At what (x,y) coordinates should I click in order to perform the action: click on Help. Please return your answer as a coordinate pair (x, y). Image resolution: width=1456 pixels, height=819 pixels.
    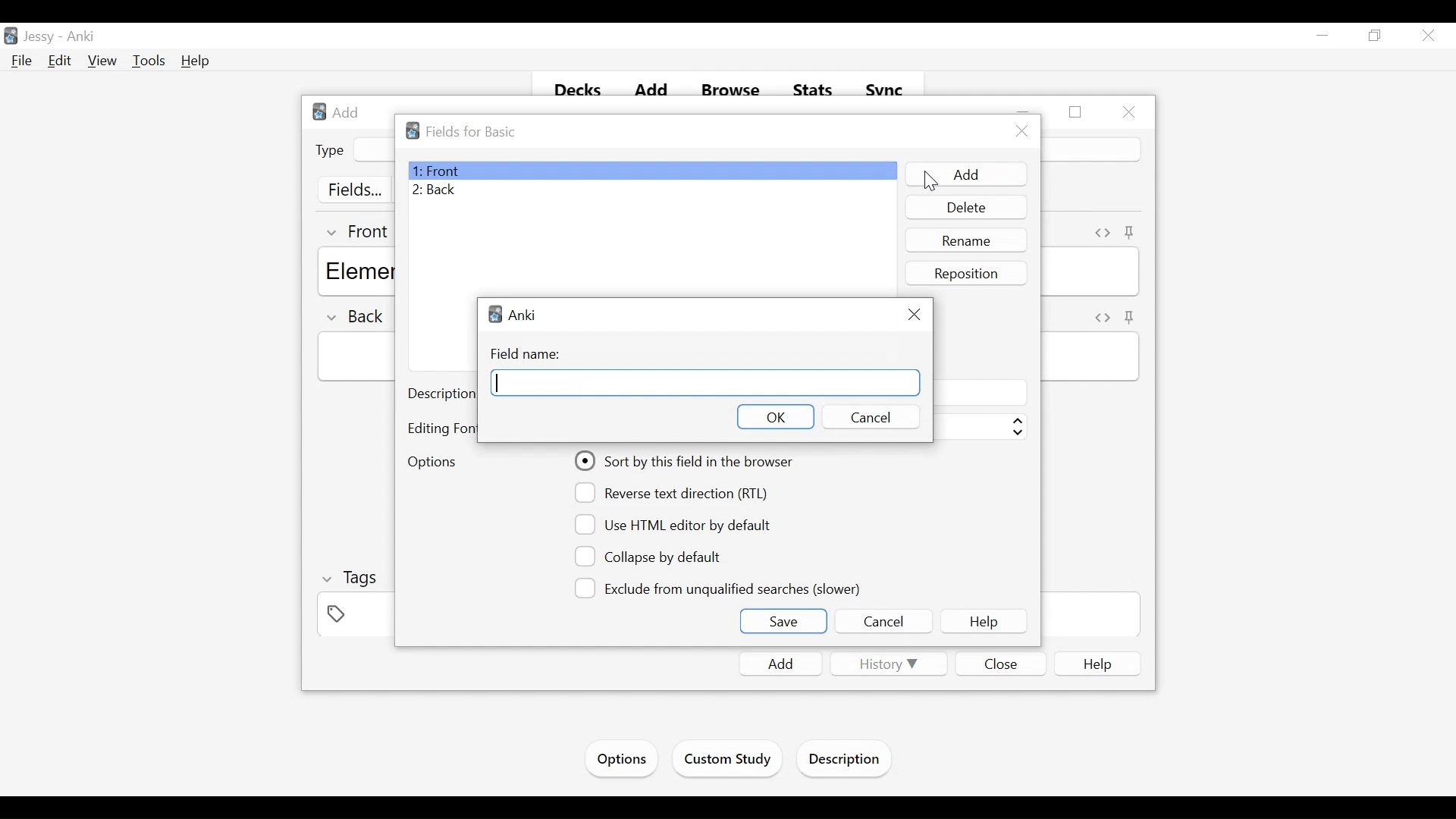
    Looking at the image, I should click on (984, 622).